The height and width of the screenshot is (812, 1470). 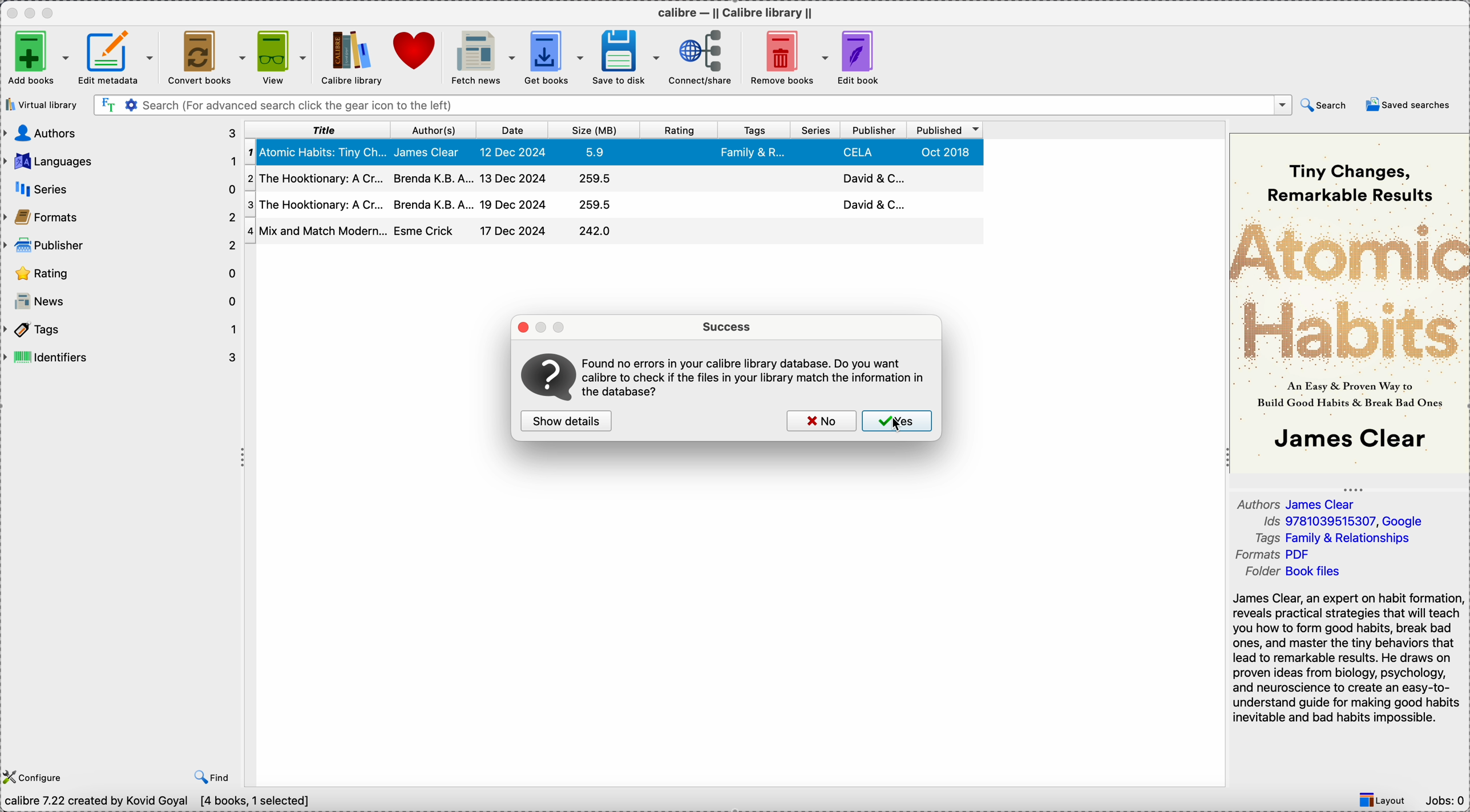 What do you see at coordinates (350, 58) in the screenshot?
I see `click on Calibre library` at bounding box center [350, 58].